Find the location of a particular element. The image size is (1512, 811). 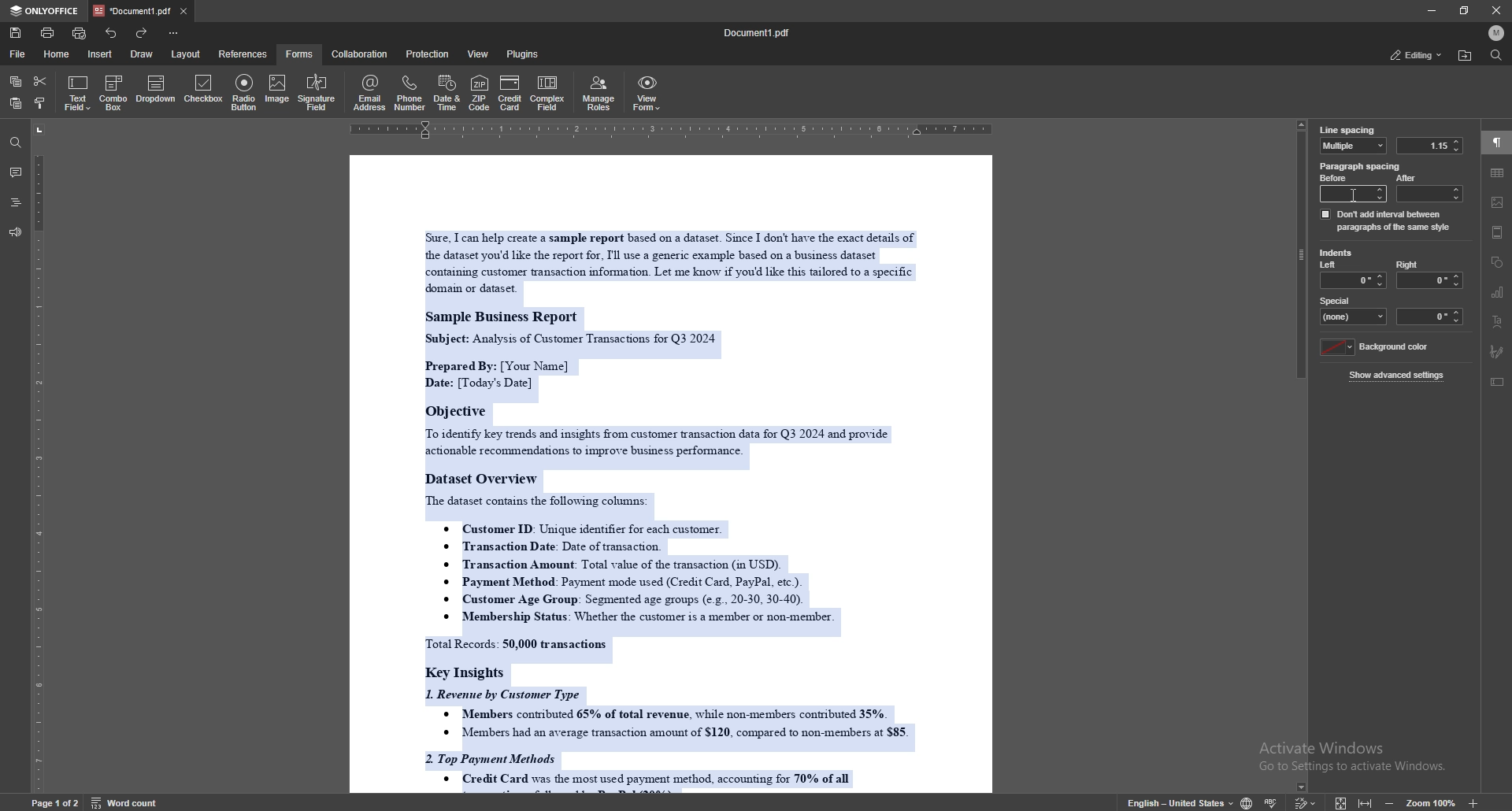

resize is located at coordinates (1465, 10).